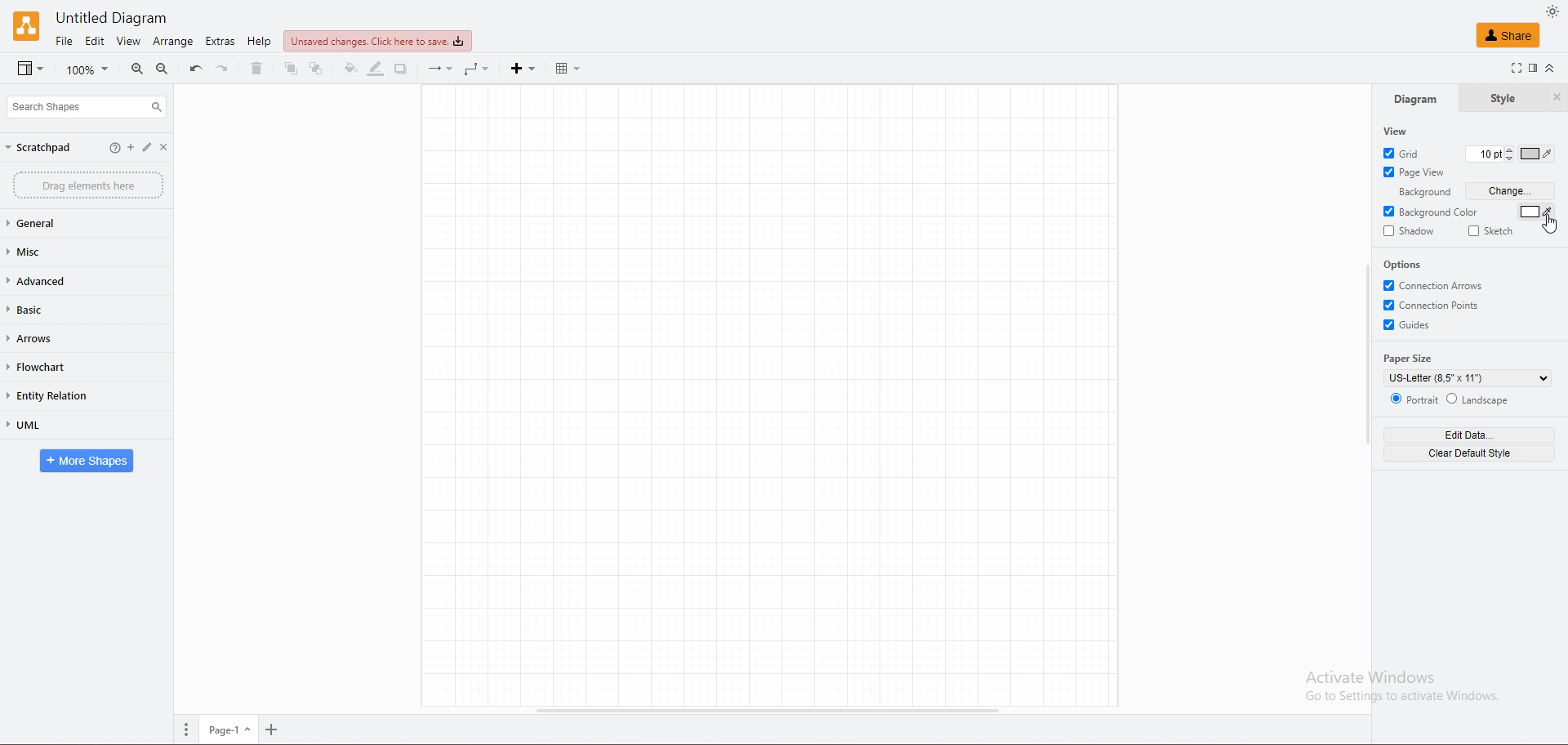  I want to click on more shapes, so click(87, 462).